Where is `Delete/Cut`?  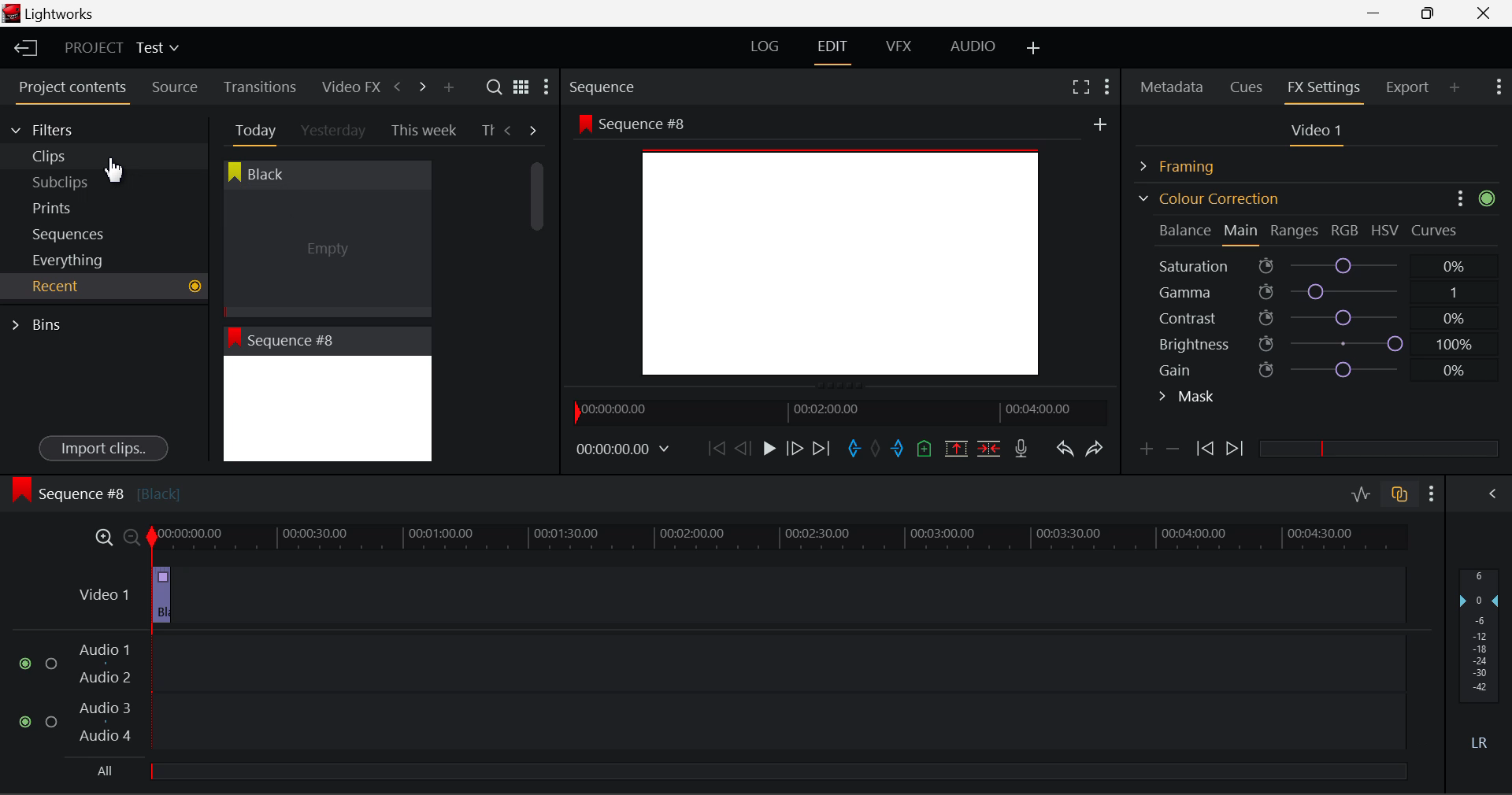
Delete/Cut is located at coordinates (989, 448).